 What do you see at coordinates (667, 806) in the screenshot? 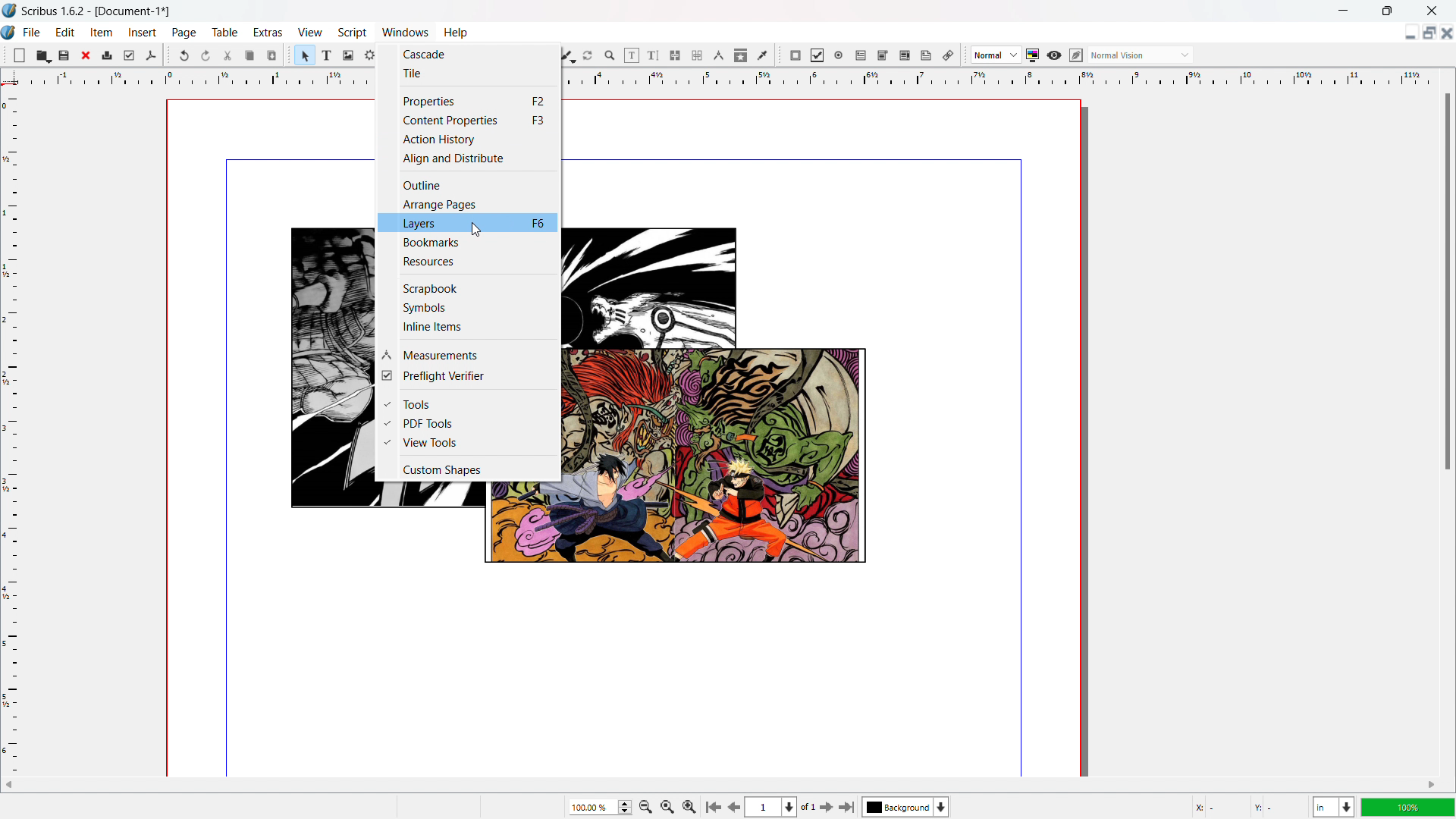
I see `zoom to 1005` at bounding box center [667, 806].